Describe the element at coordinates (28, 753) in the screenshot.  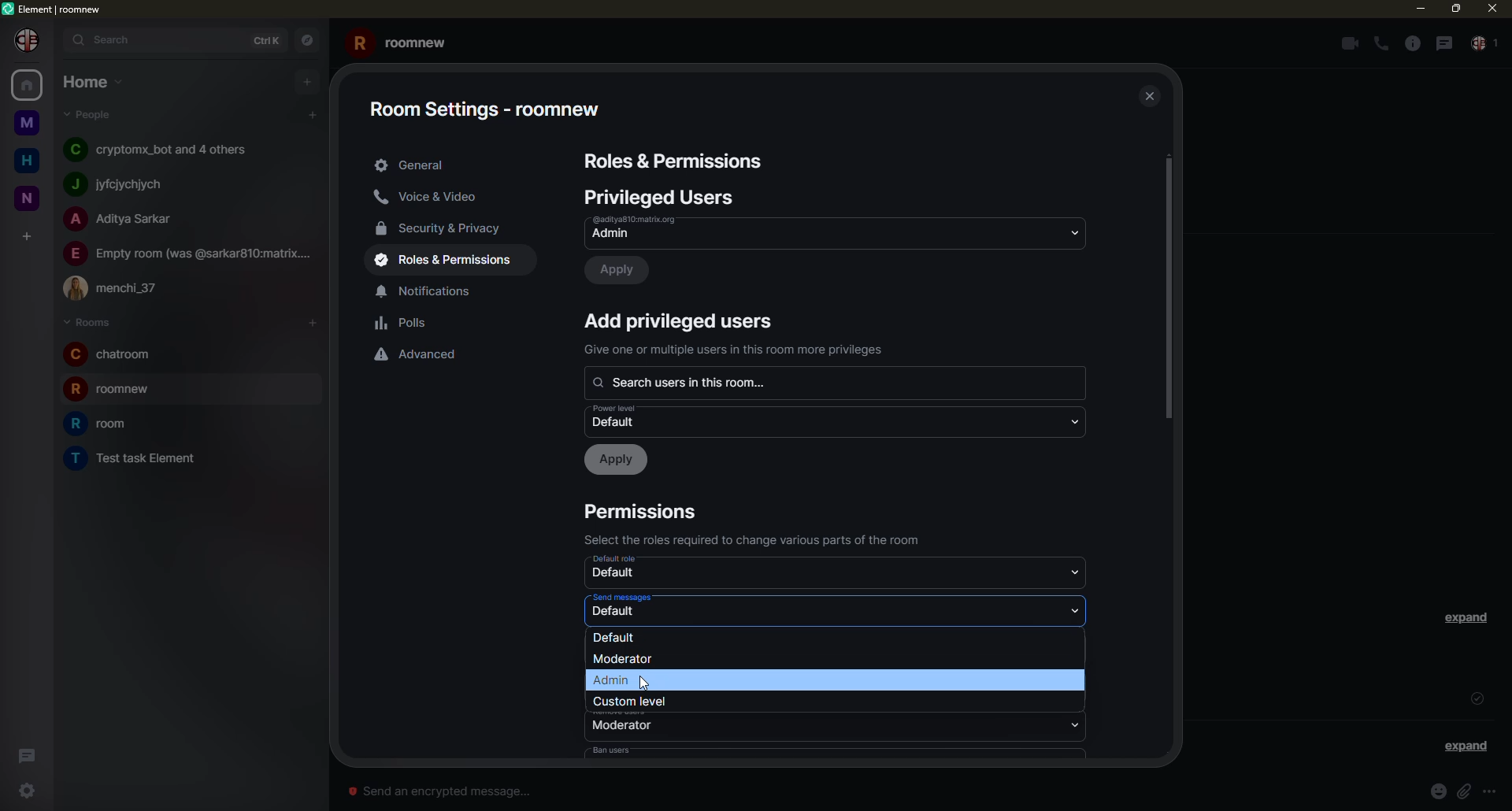
I see `threads` at that location.